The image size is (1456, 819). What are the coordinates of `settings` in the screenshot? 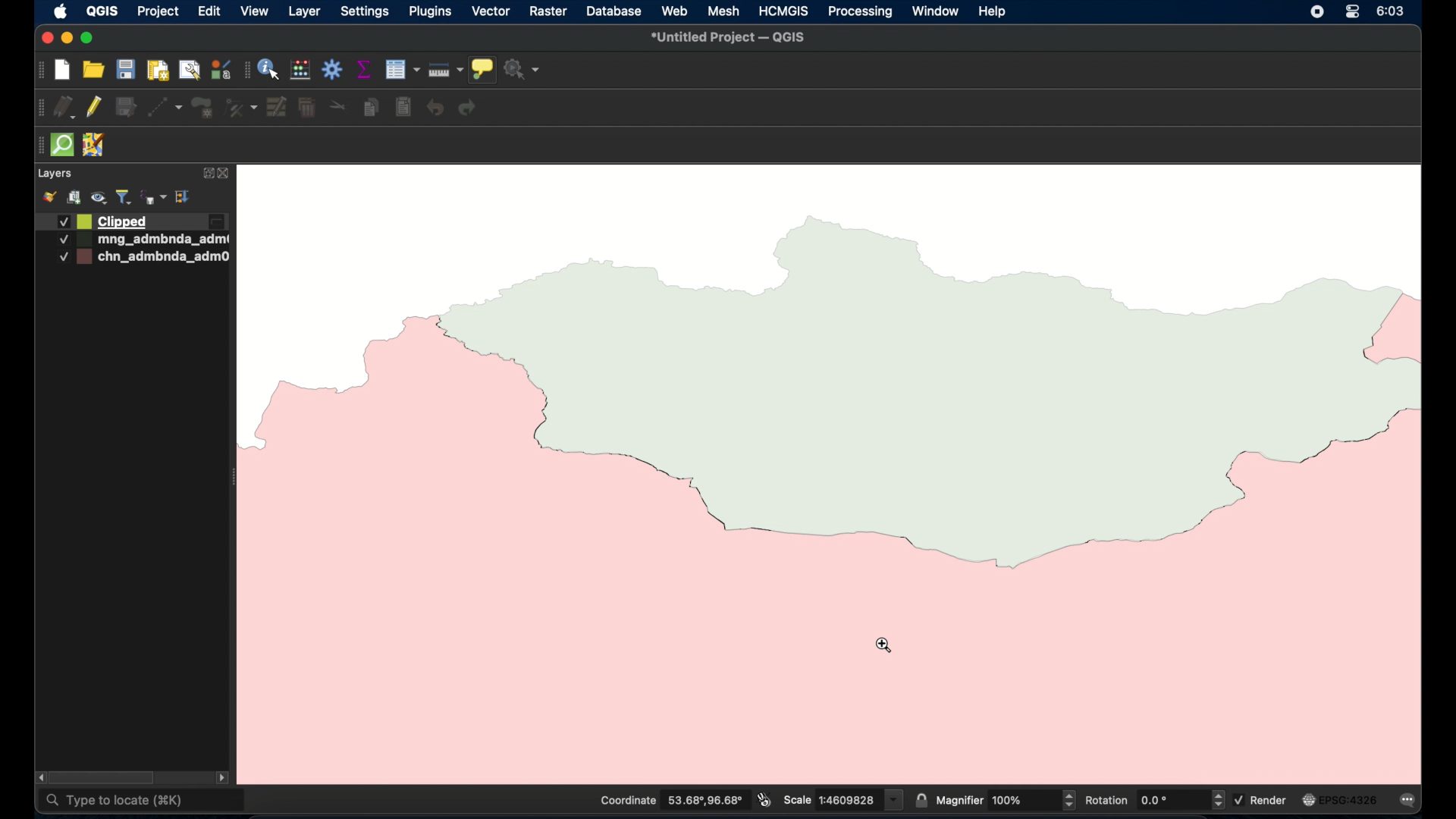 It's located at (364, 13).